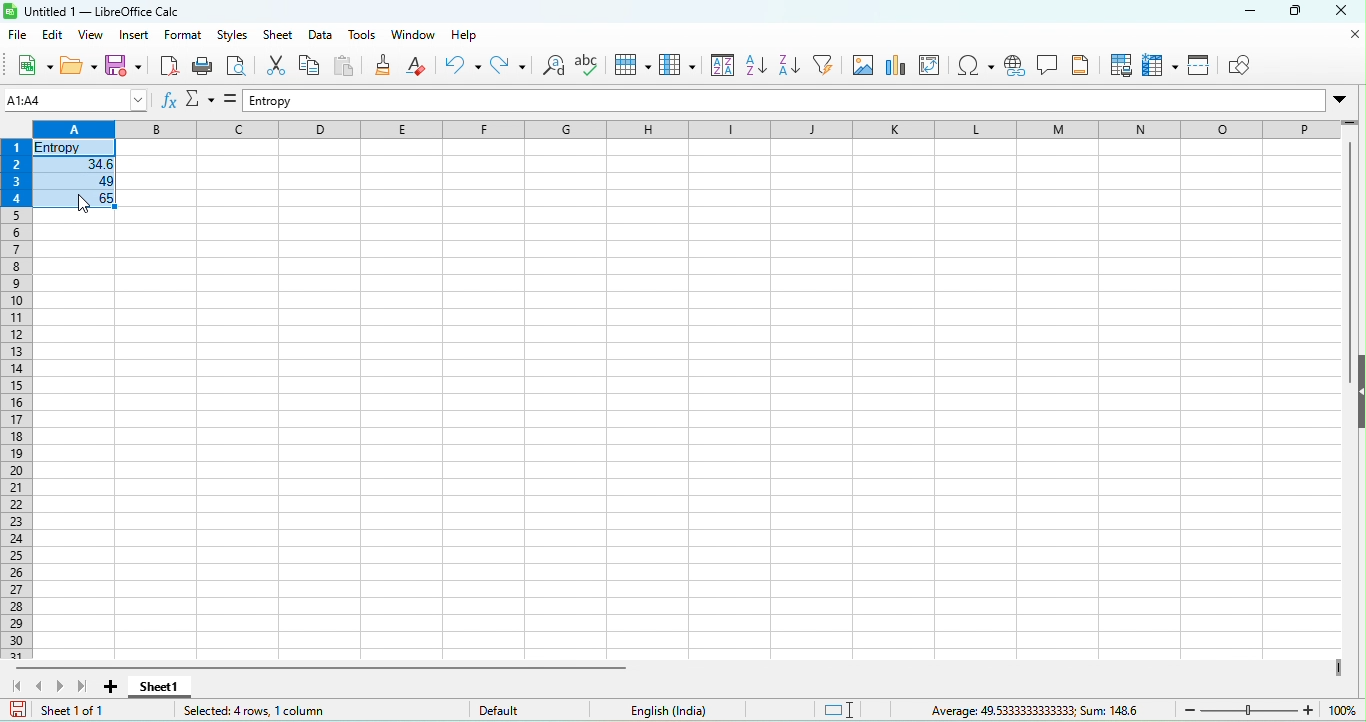 Image resolution: width=1366 pixels, height=722 pixels. I want to click on name box (c8), so click(73, 99).